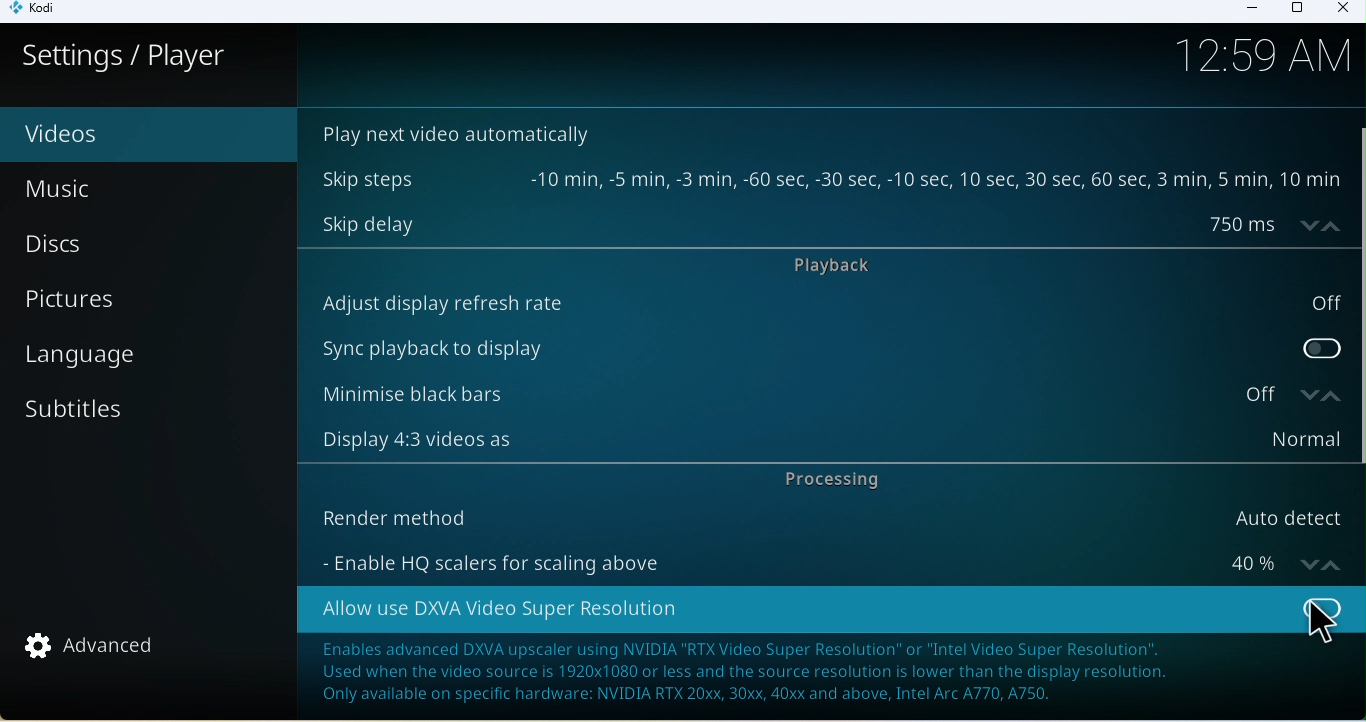 This screenshot has height=722, width=1366. I want to click on Time, so click(1271, 59).